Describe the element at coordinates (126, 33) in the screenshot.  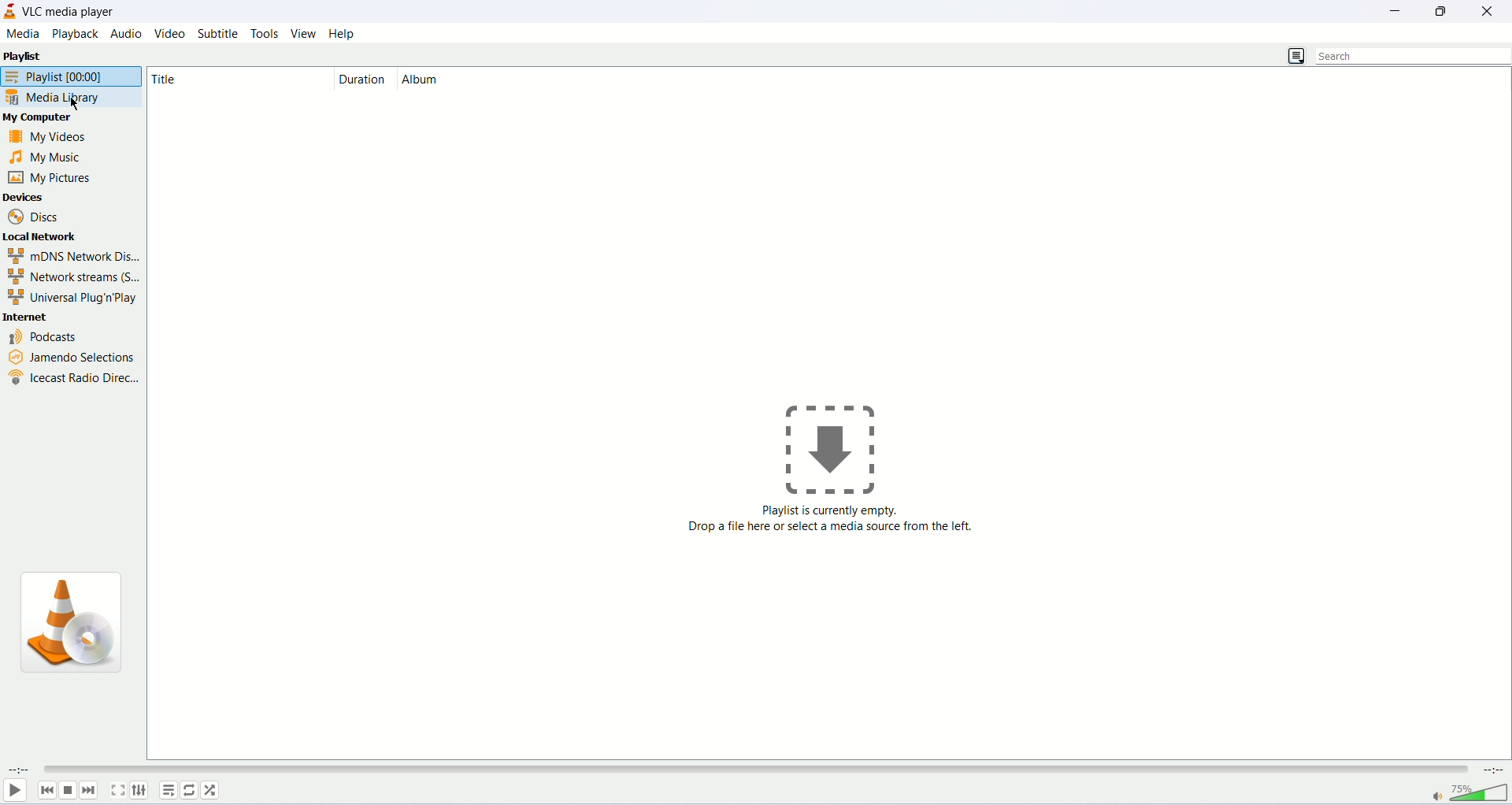
I see `audio` at that location.